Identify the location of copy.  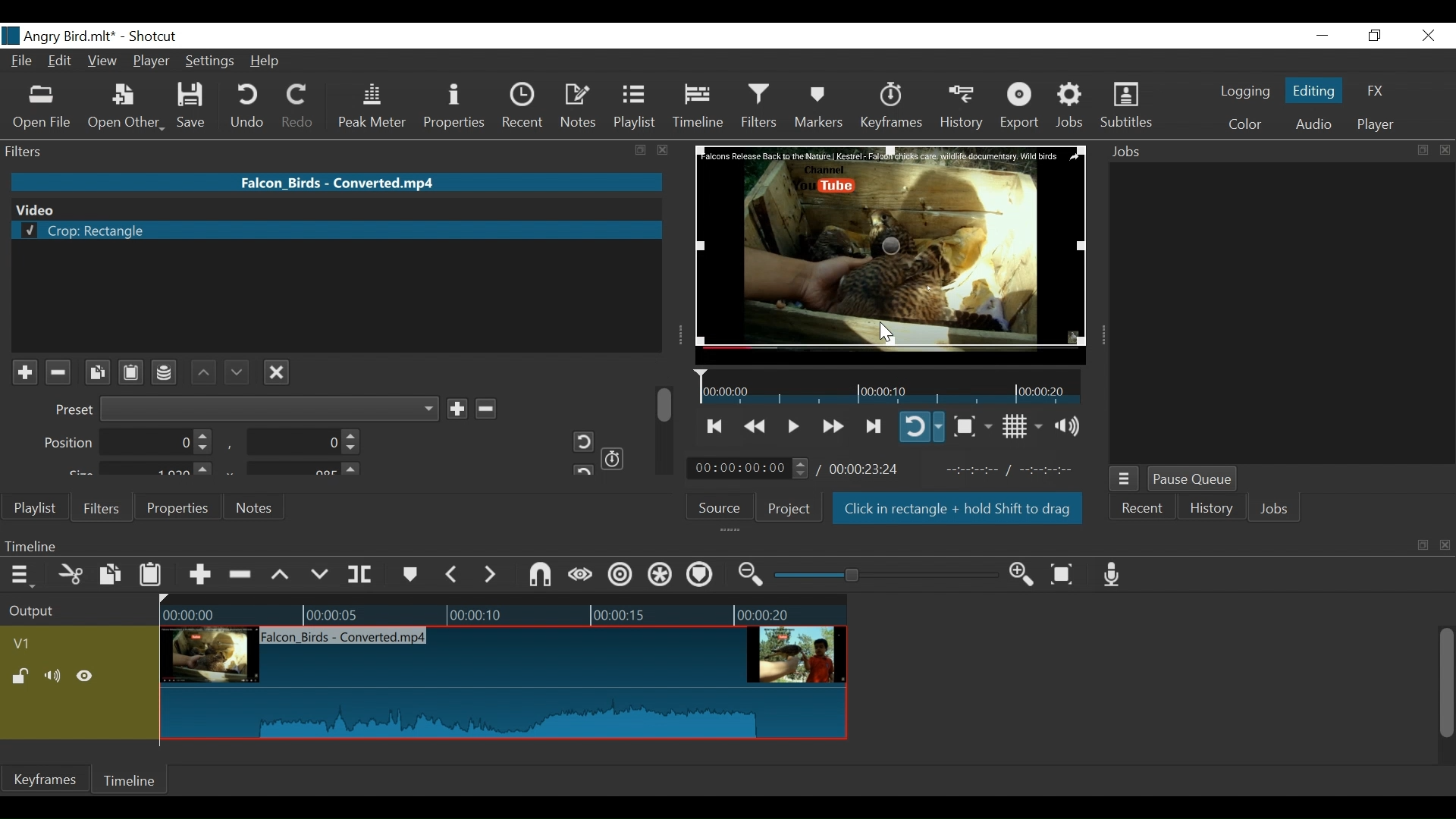
(642, 151).